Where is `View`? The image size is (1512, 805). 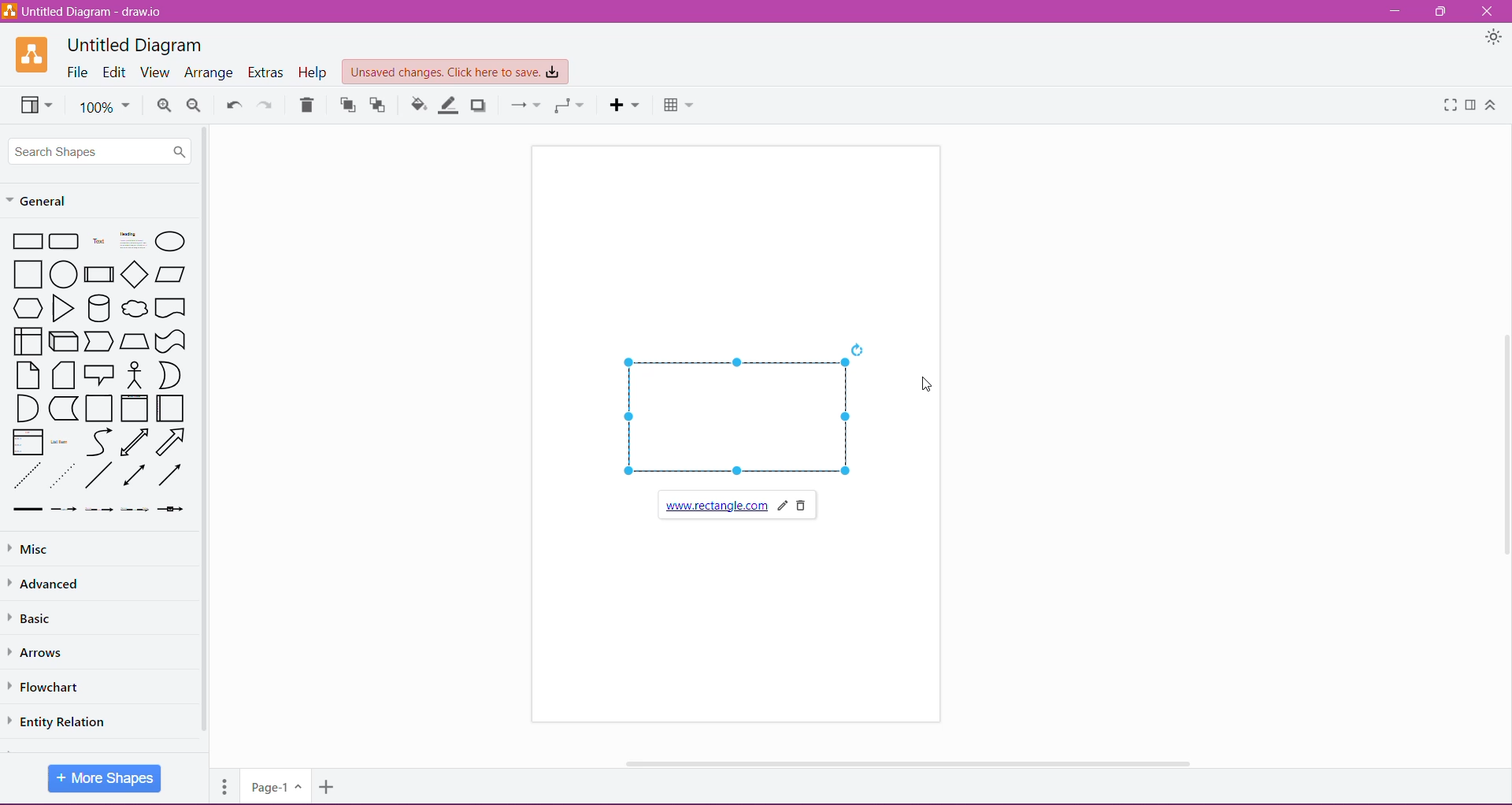
View is located at coordinates (35, 105).